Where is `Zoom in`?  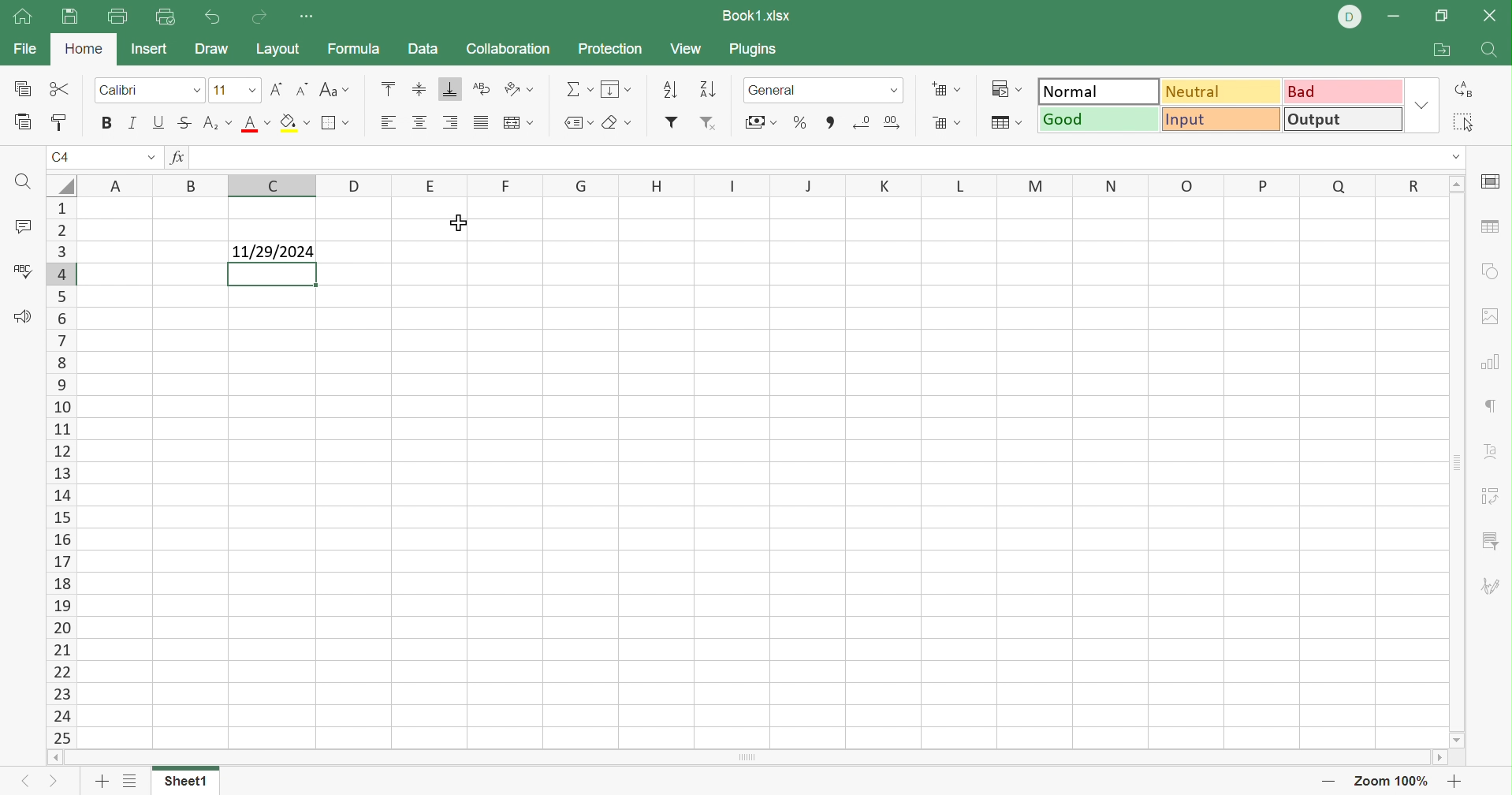 Zoom in is located at coordinates (1456, 780).